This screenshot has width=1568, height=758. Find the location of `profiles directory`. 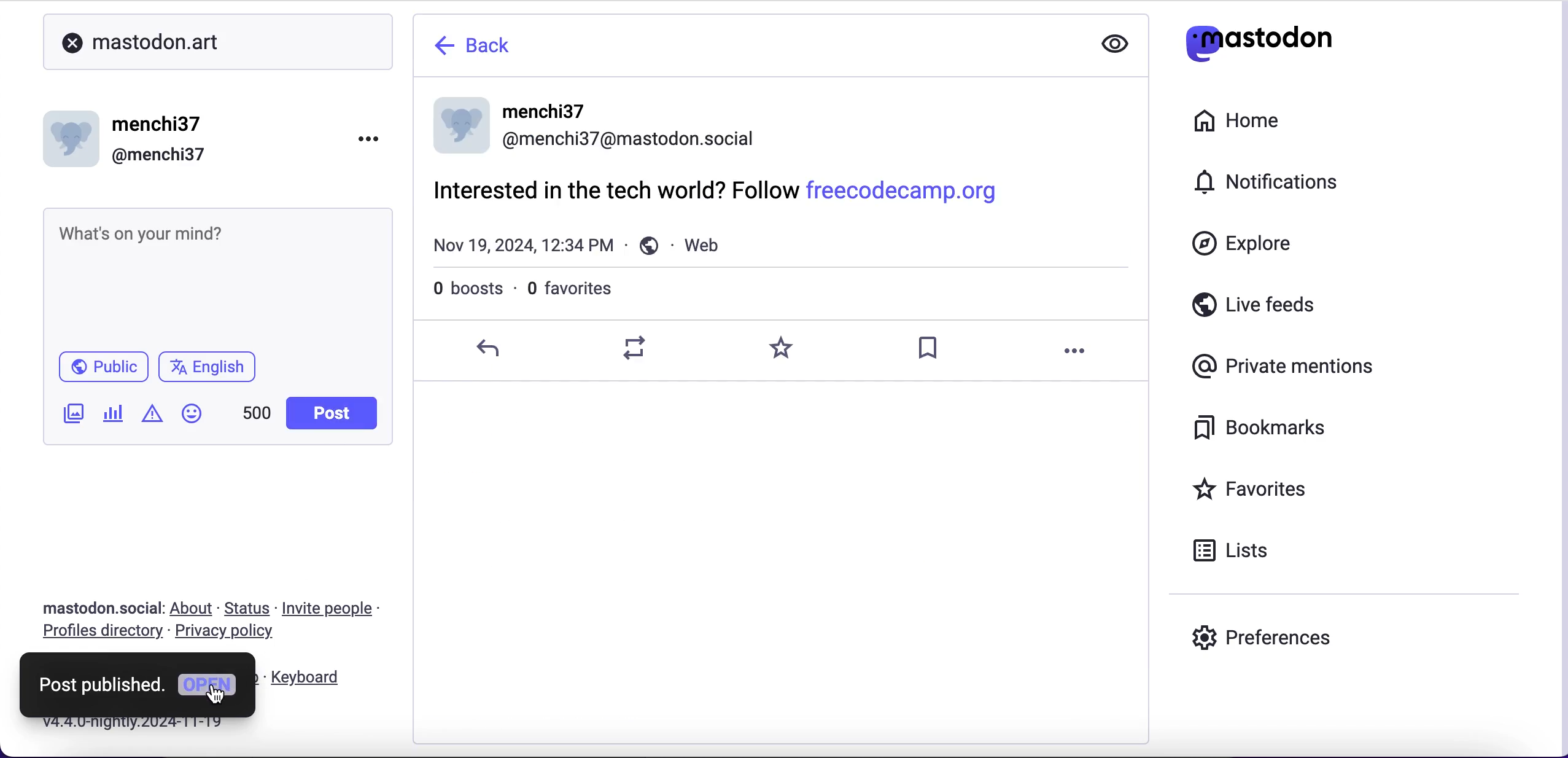

profiles directory is located at coordinates (101, 635).